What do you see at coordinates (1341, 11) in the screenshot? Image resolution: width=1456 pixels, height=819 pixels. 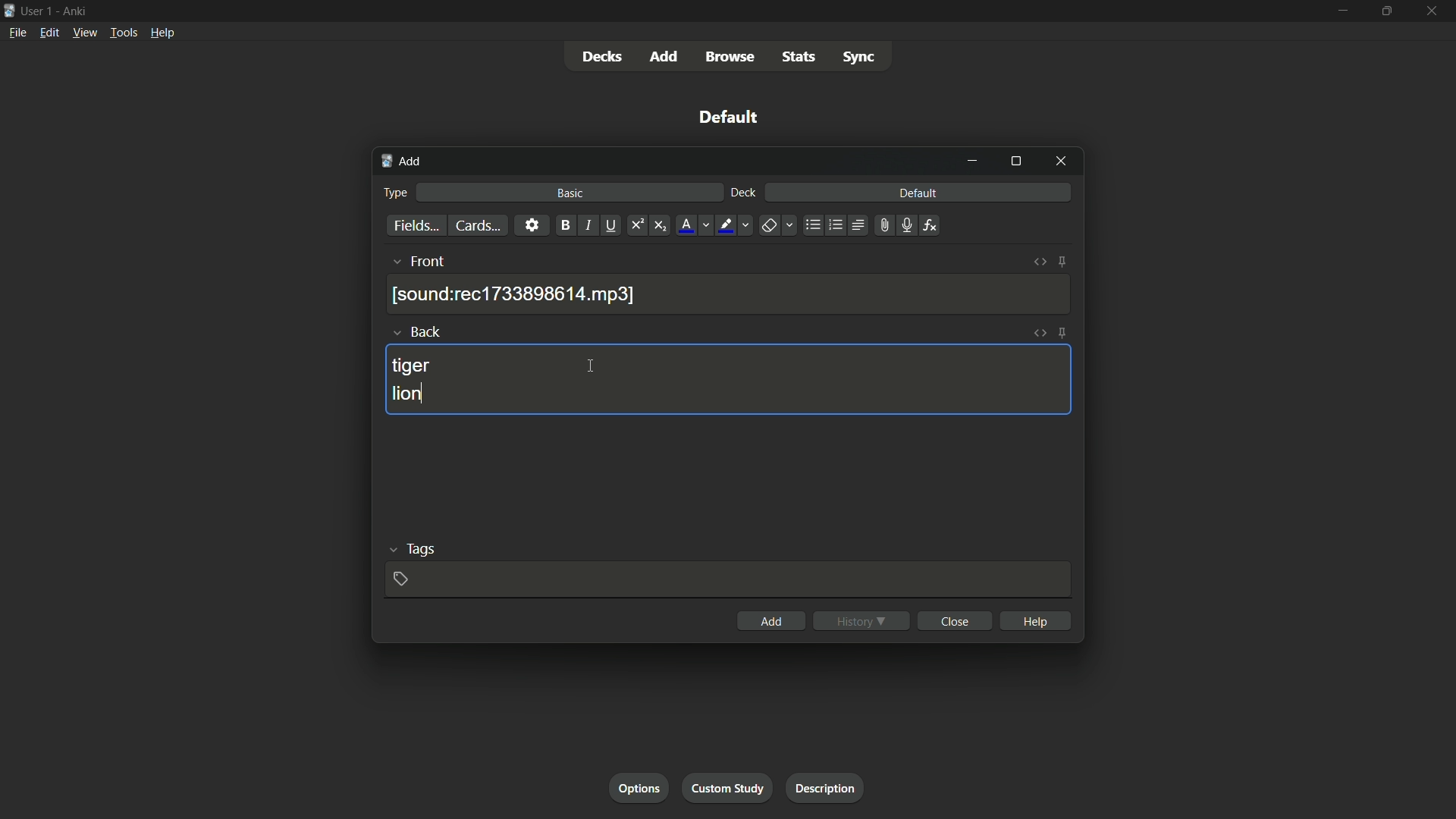 I see `minimize` at bounding box center [1341, 11].